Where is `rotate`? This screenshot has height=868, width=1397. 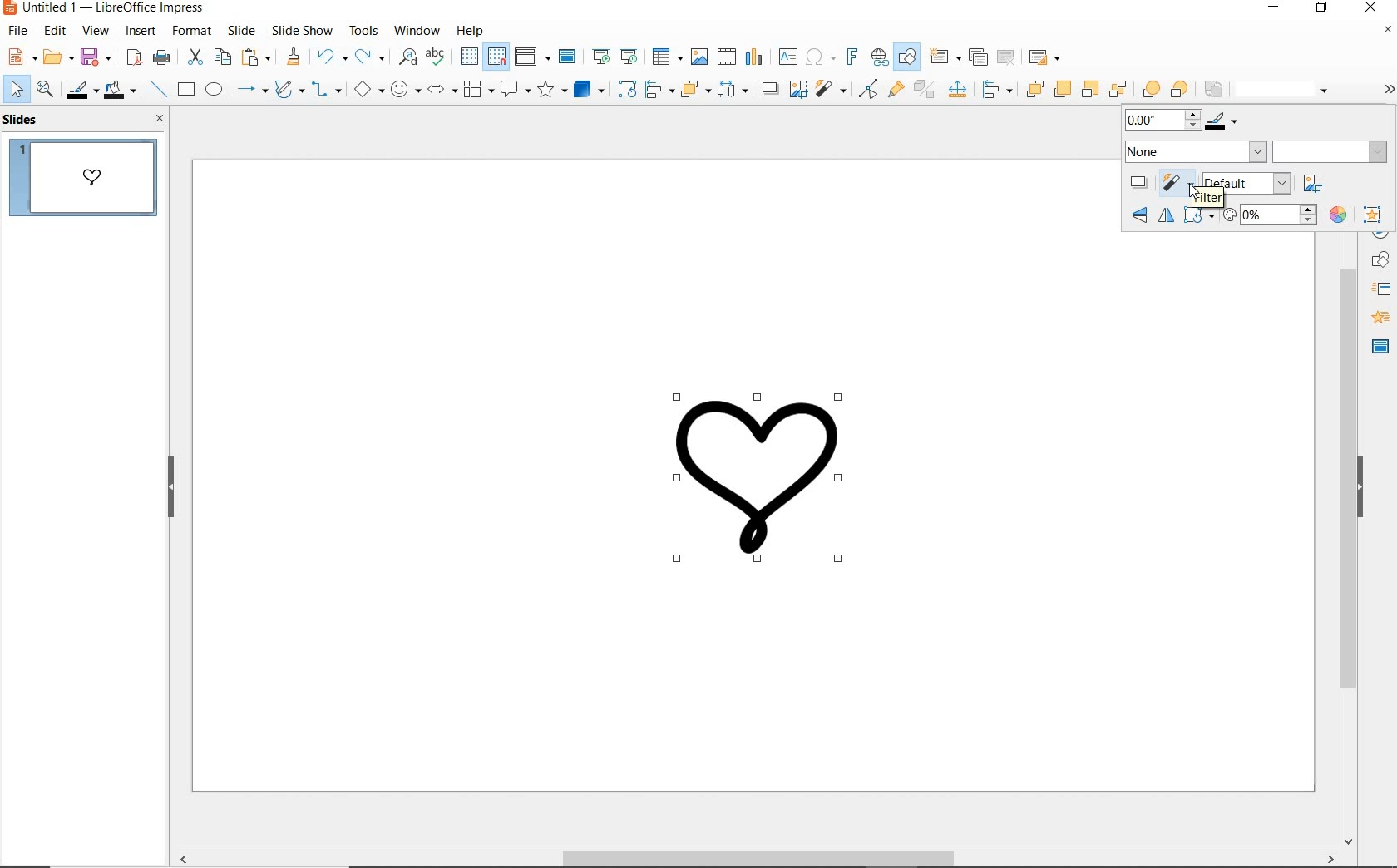 rotate is located at coordinates (627, 89).